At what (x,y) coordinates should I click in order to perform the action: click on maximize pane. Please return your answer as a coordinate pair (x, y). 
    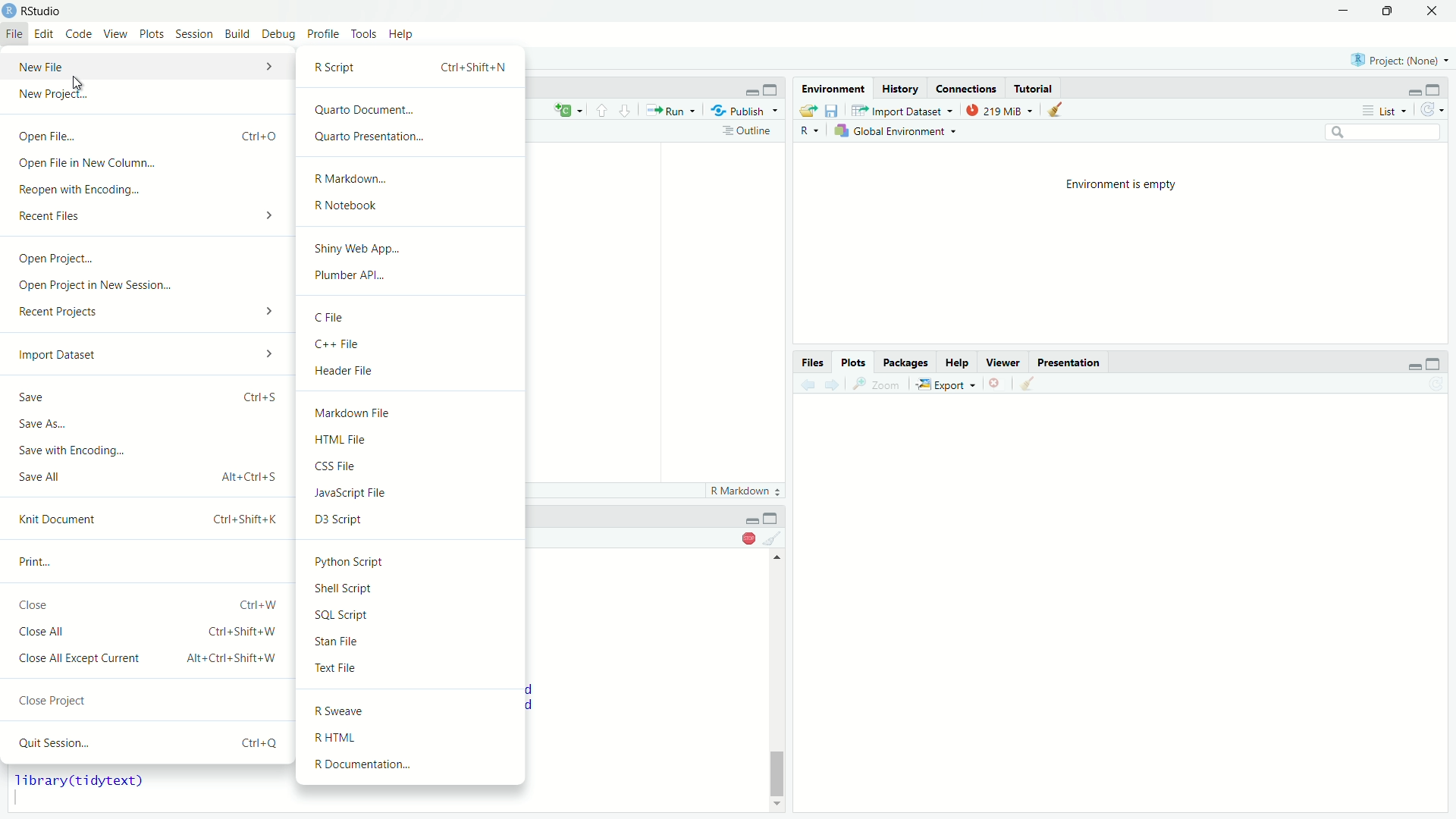
    Looking at the image, I should click on (774, 88).